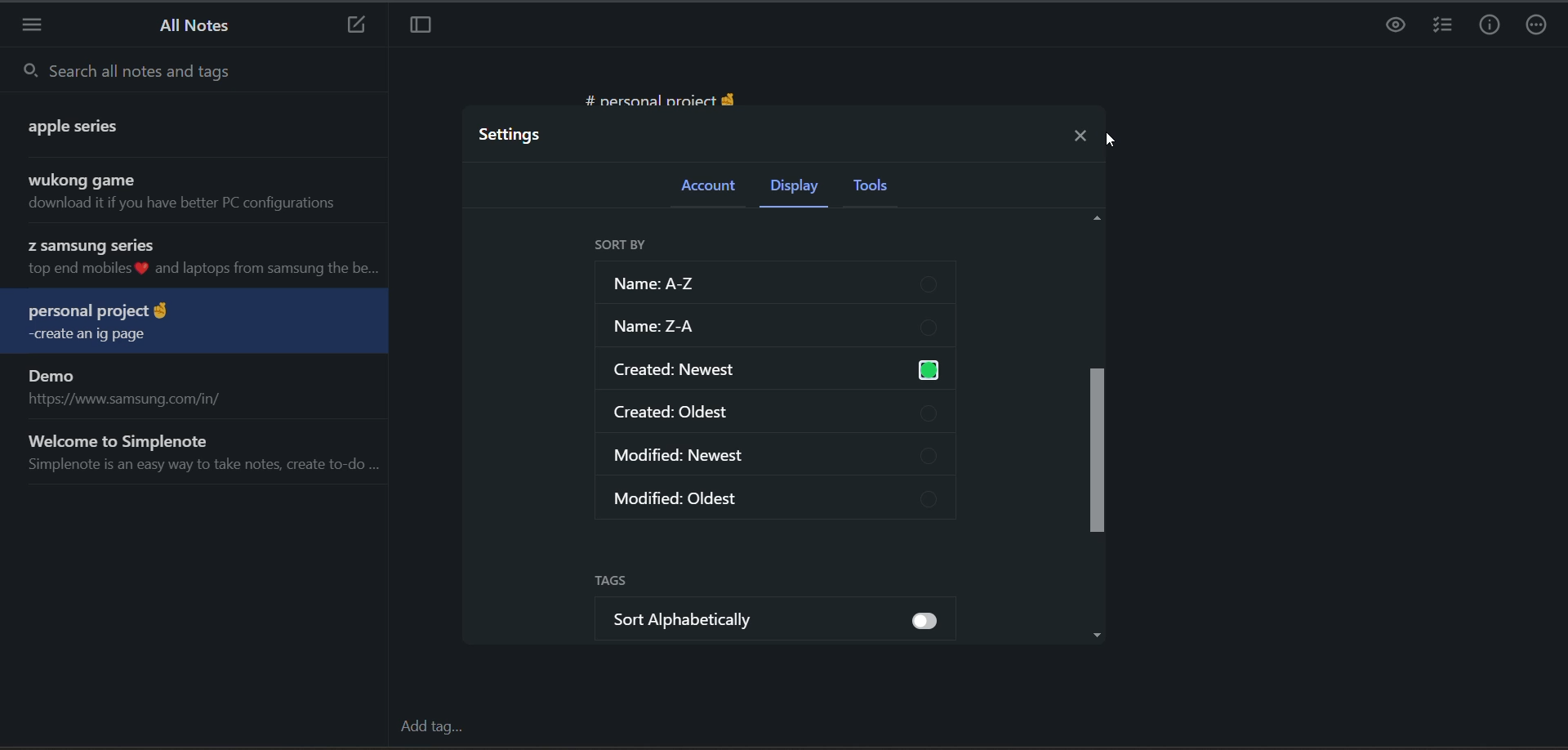 The height and width of the screenshot is (750, 1568). Describe the element at coordinates (1093, 634) in the screenshot. I see `Down` at that location.